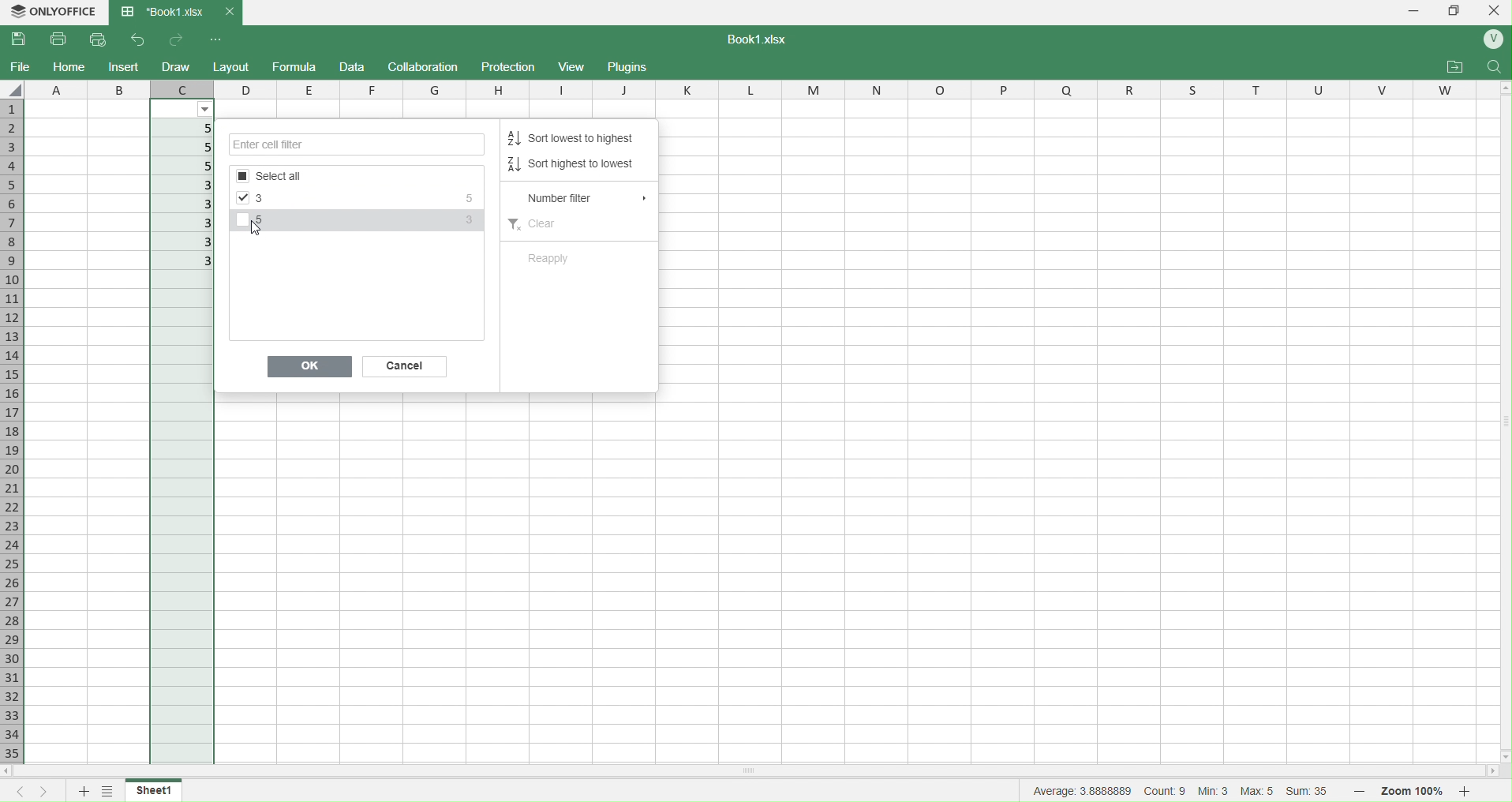 Image resolution: width=1512 pixels, height=802 pixels. What do you see at coordinates (188, 129) in the screenshot?
I see `5` at bounding box center [188, 129].